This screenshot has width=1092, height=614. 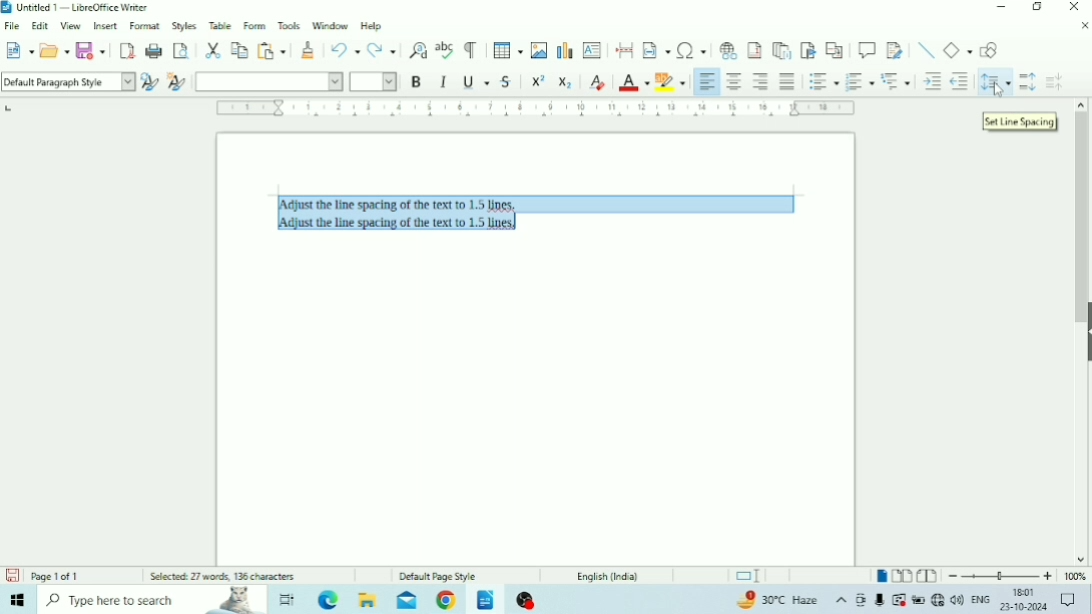 I want to click on Print, so click(x=154, y=49).